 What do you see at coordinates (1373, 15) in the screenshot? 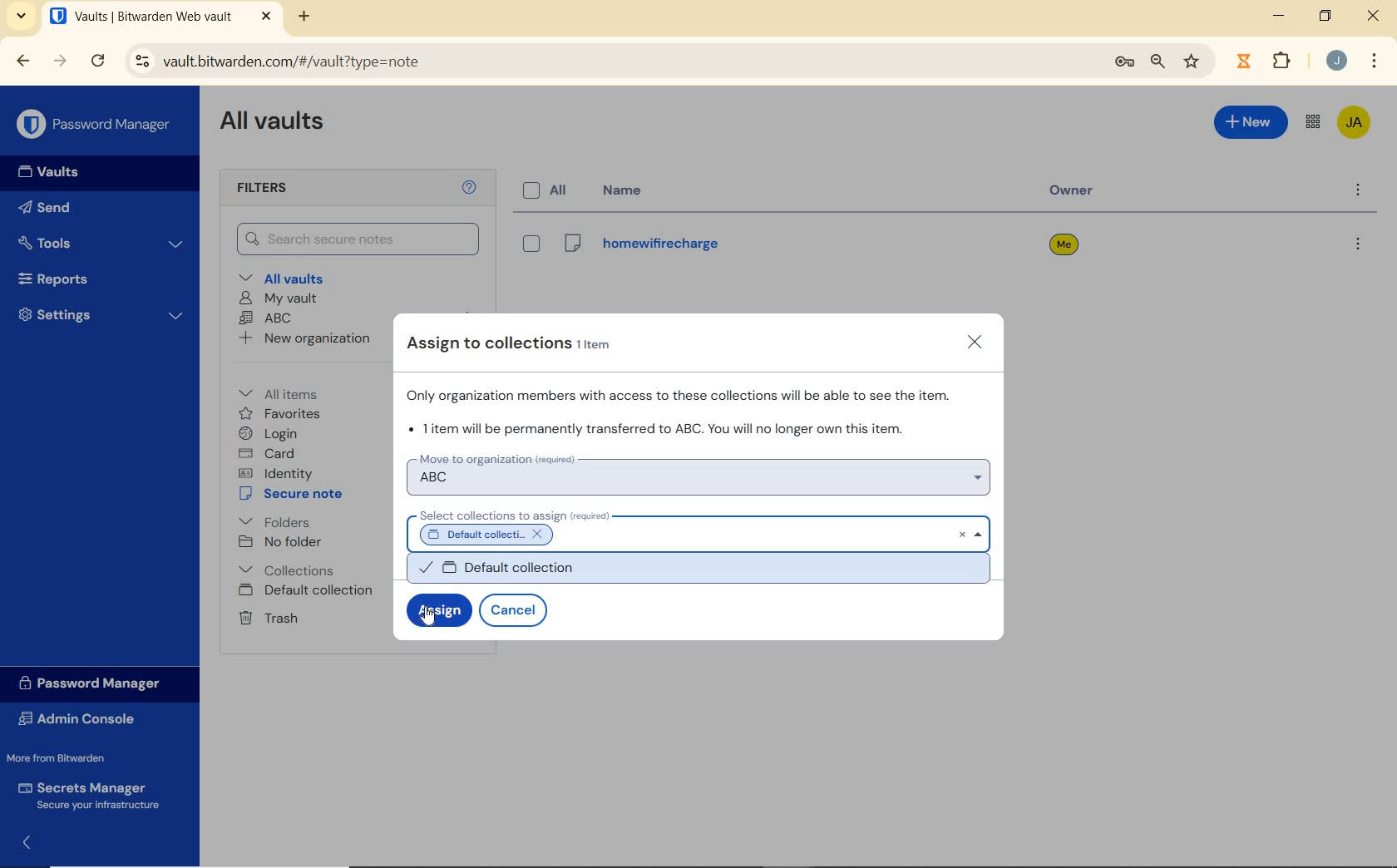
I see `close` at bounding box center [1373, 15].